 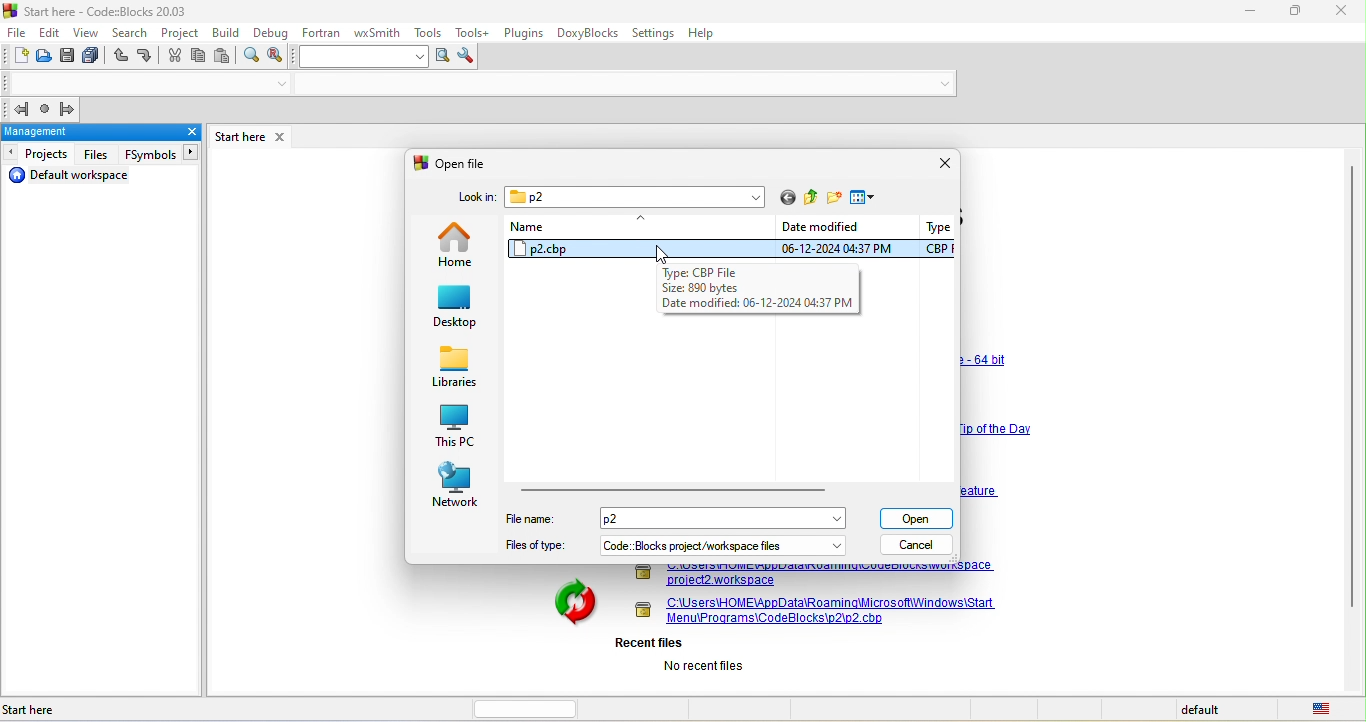 I want to click on project link , so click(x=821, y=611).